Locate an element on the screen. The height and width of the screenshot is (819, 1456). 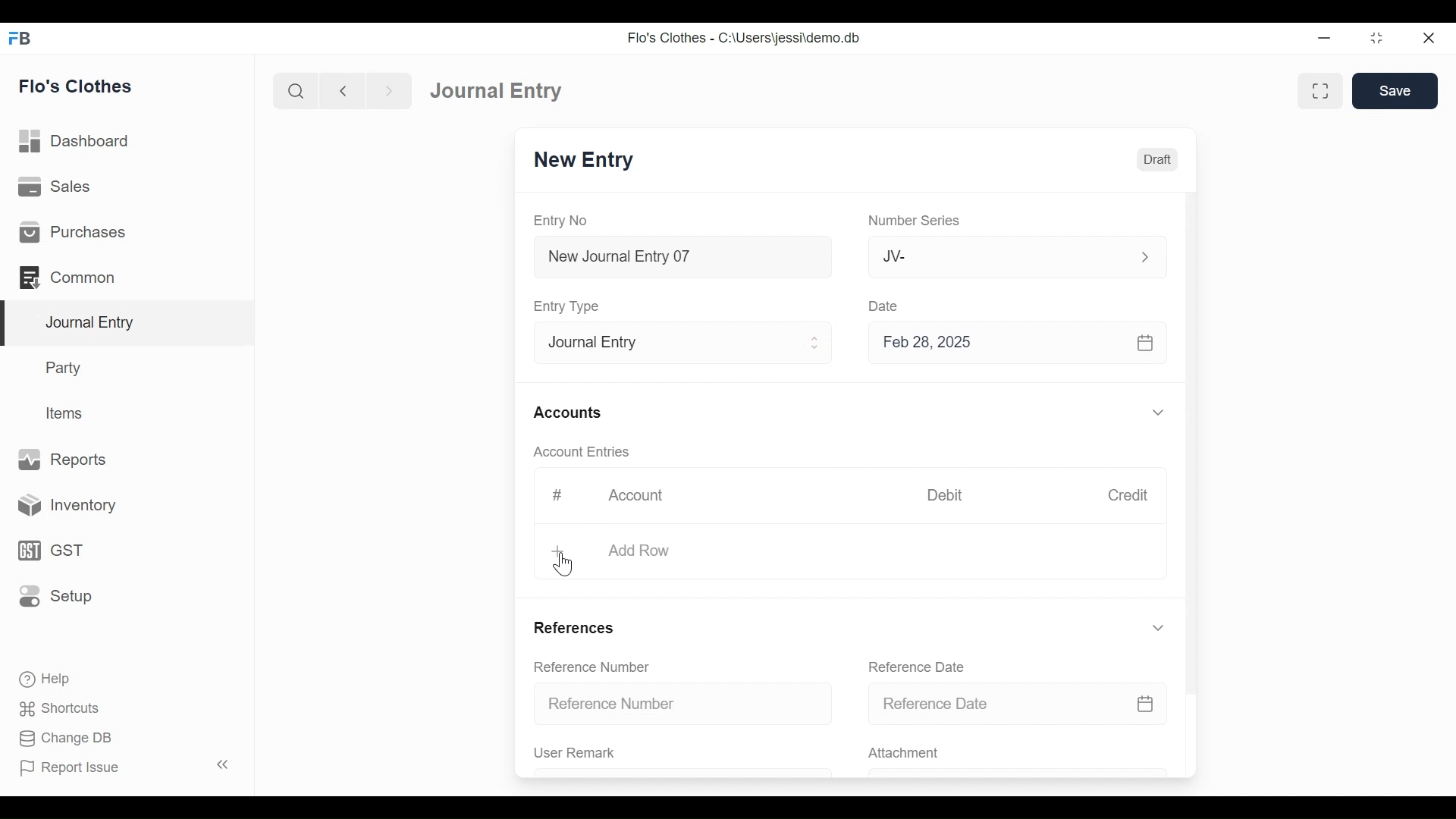
Shortcuts is located at coordinates (68, 706).